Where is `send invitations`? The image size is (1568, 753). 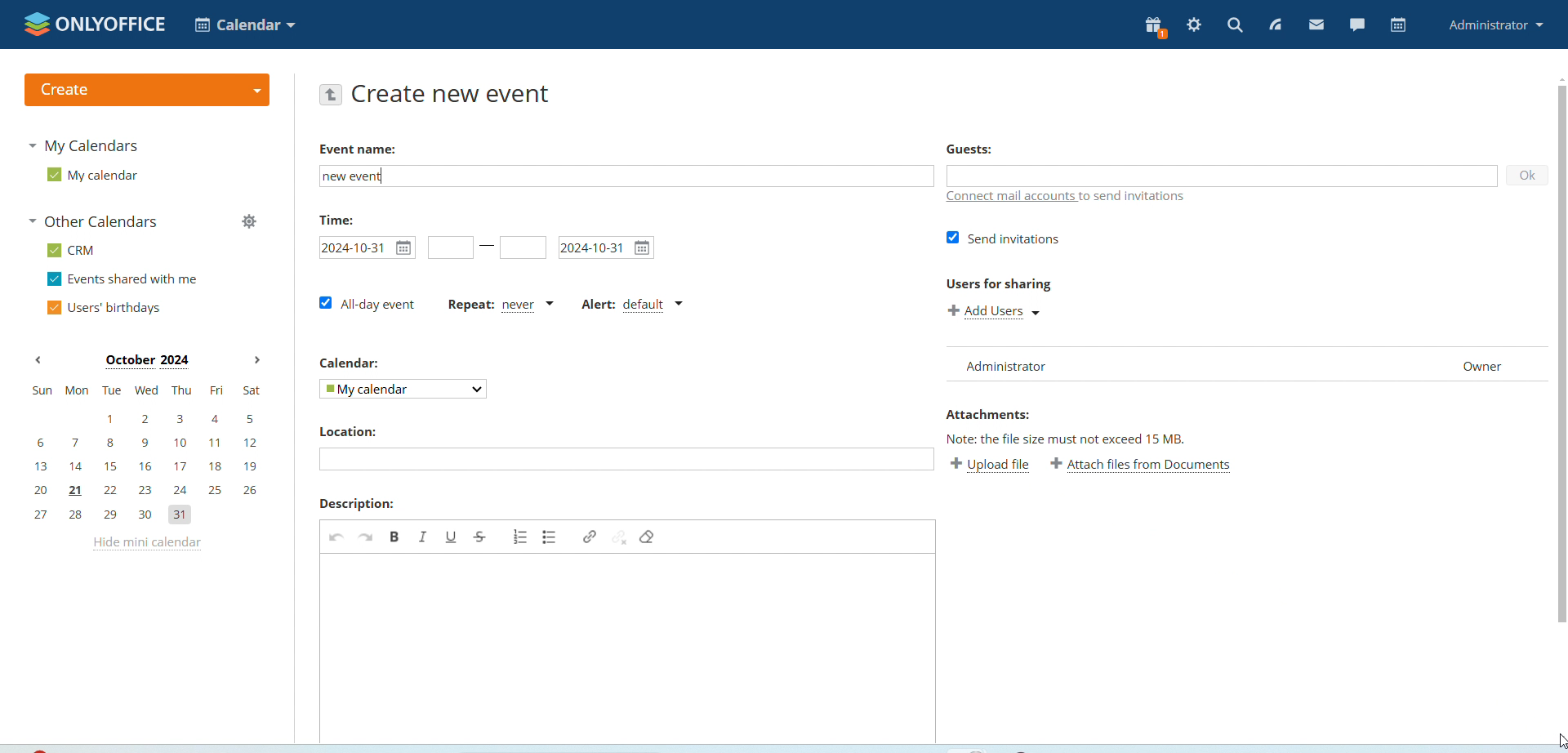
send invitations is located at coordinates (1001, 238).